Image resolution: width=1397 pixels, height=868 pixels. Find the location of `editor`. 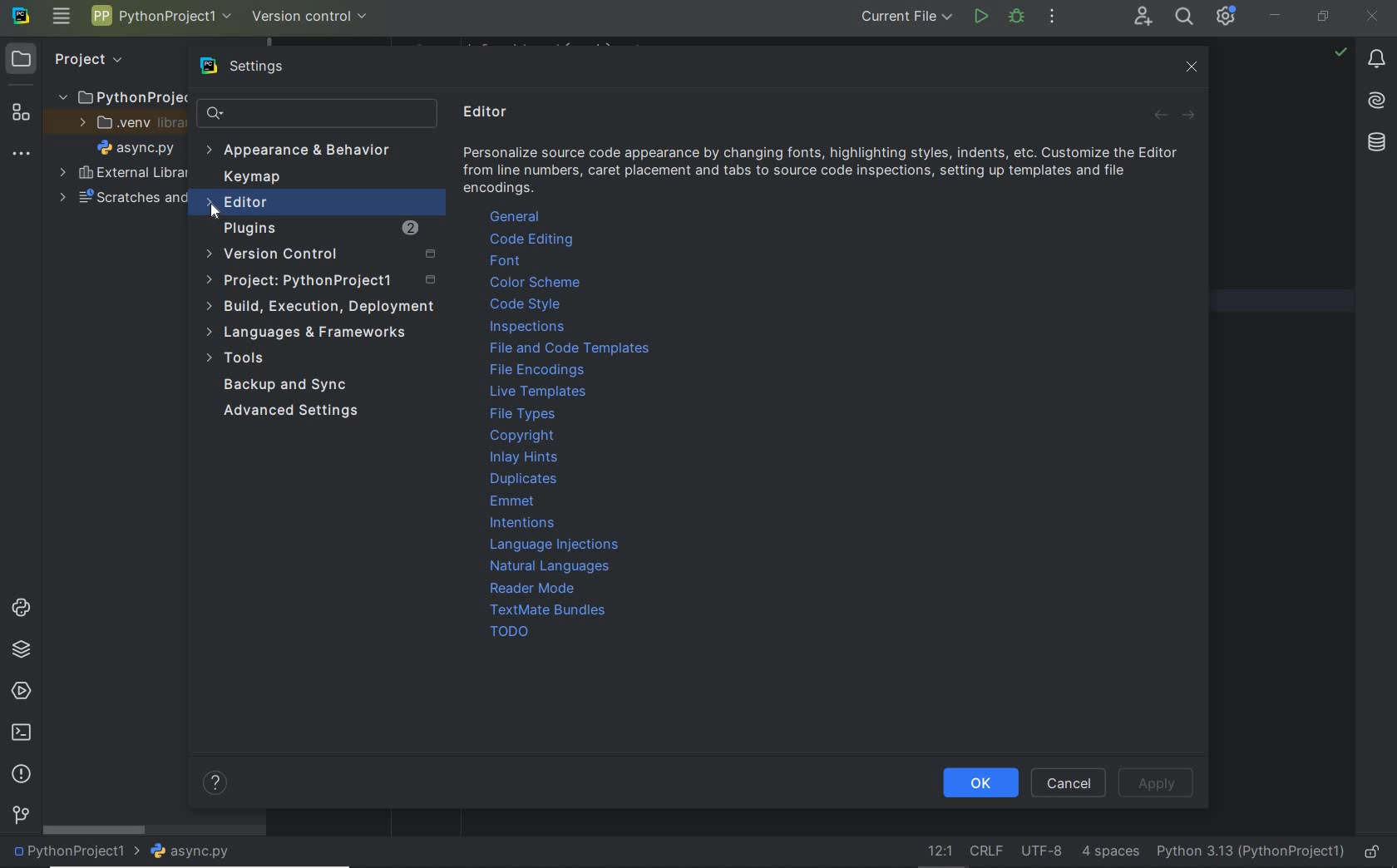

editor is located at coordinates (489, 112).